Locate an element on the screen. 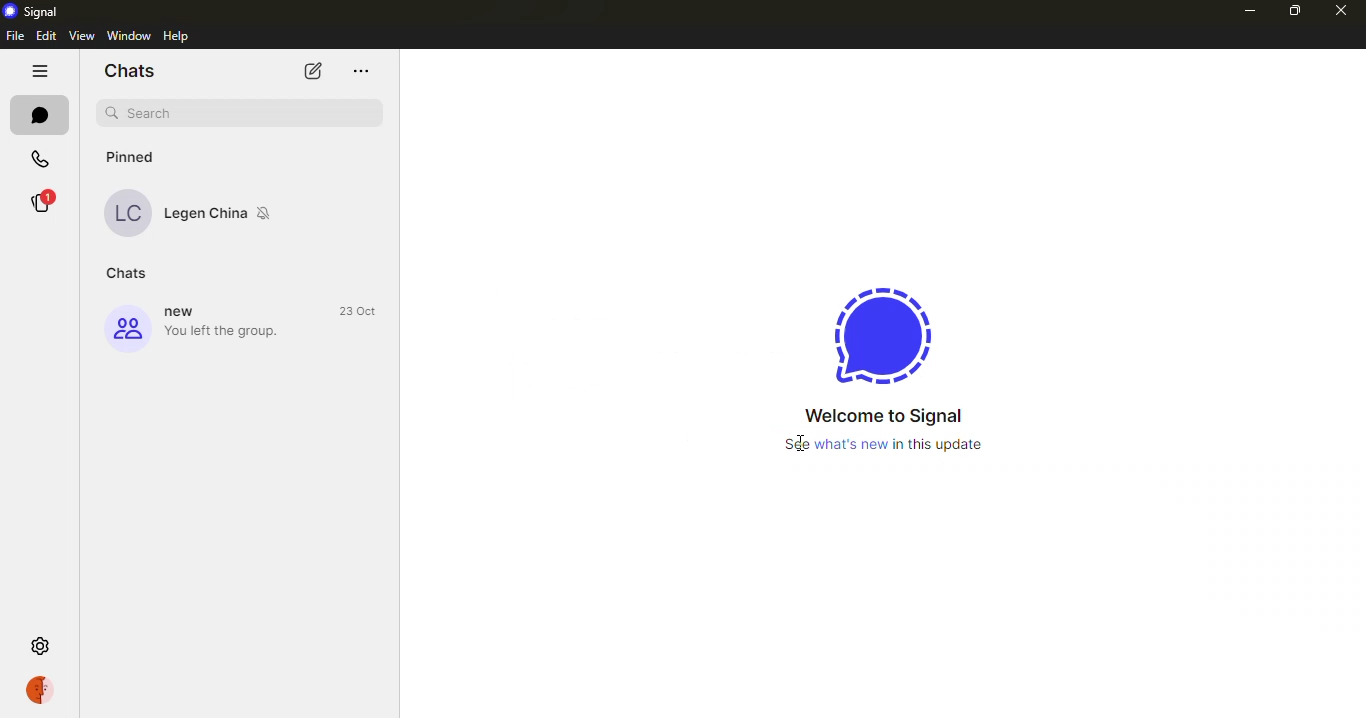 Image resolution: width=1366 pixels, height=718 pixels. pinned is located at coordinates (143, 153).